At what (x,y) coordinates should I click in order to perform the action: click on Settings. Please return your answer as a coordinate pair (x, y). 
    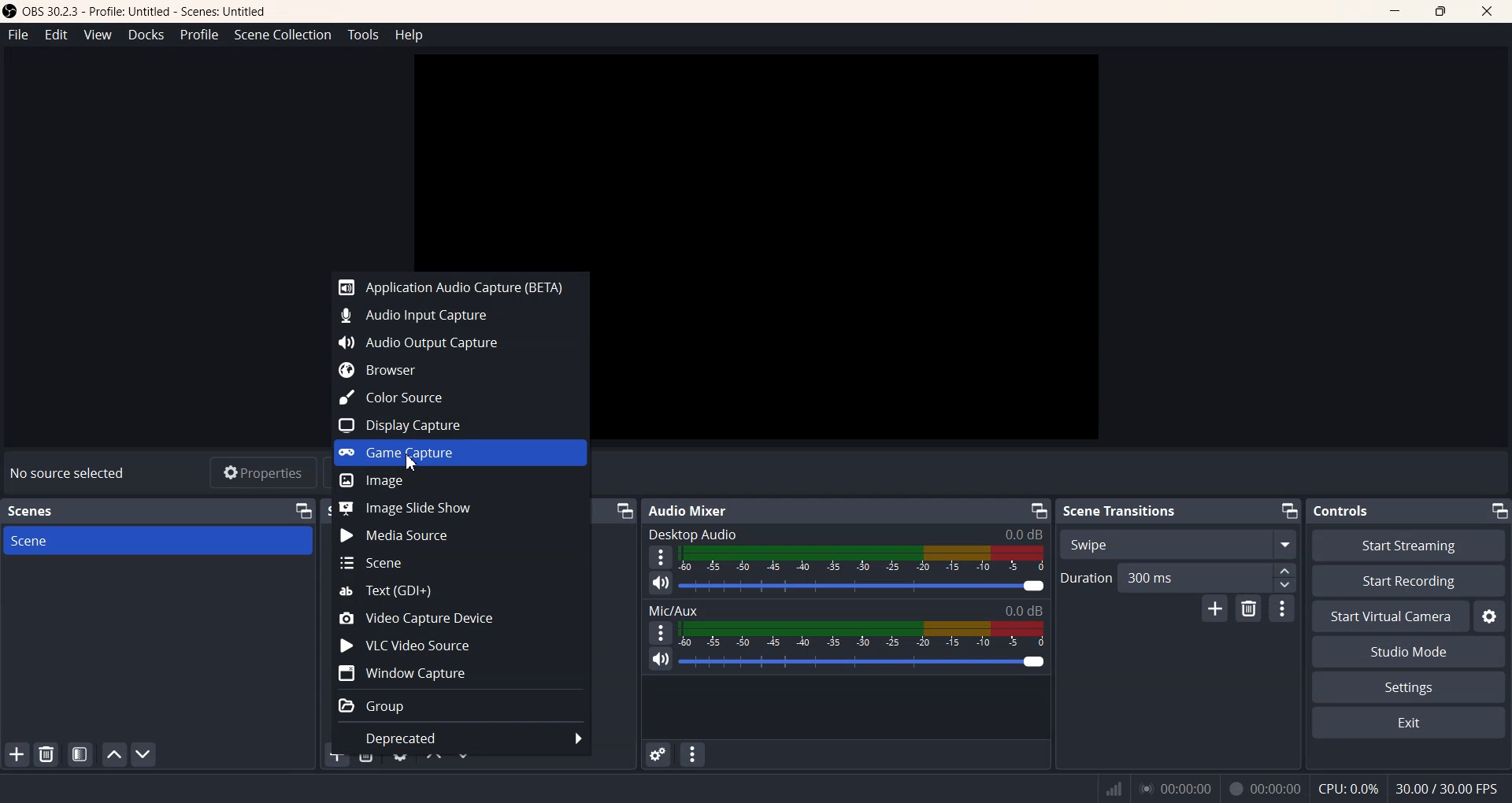
    Looking at the image, I should click on (1409, 686).